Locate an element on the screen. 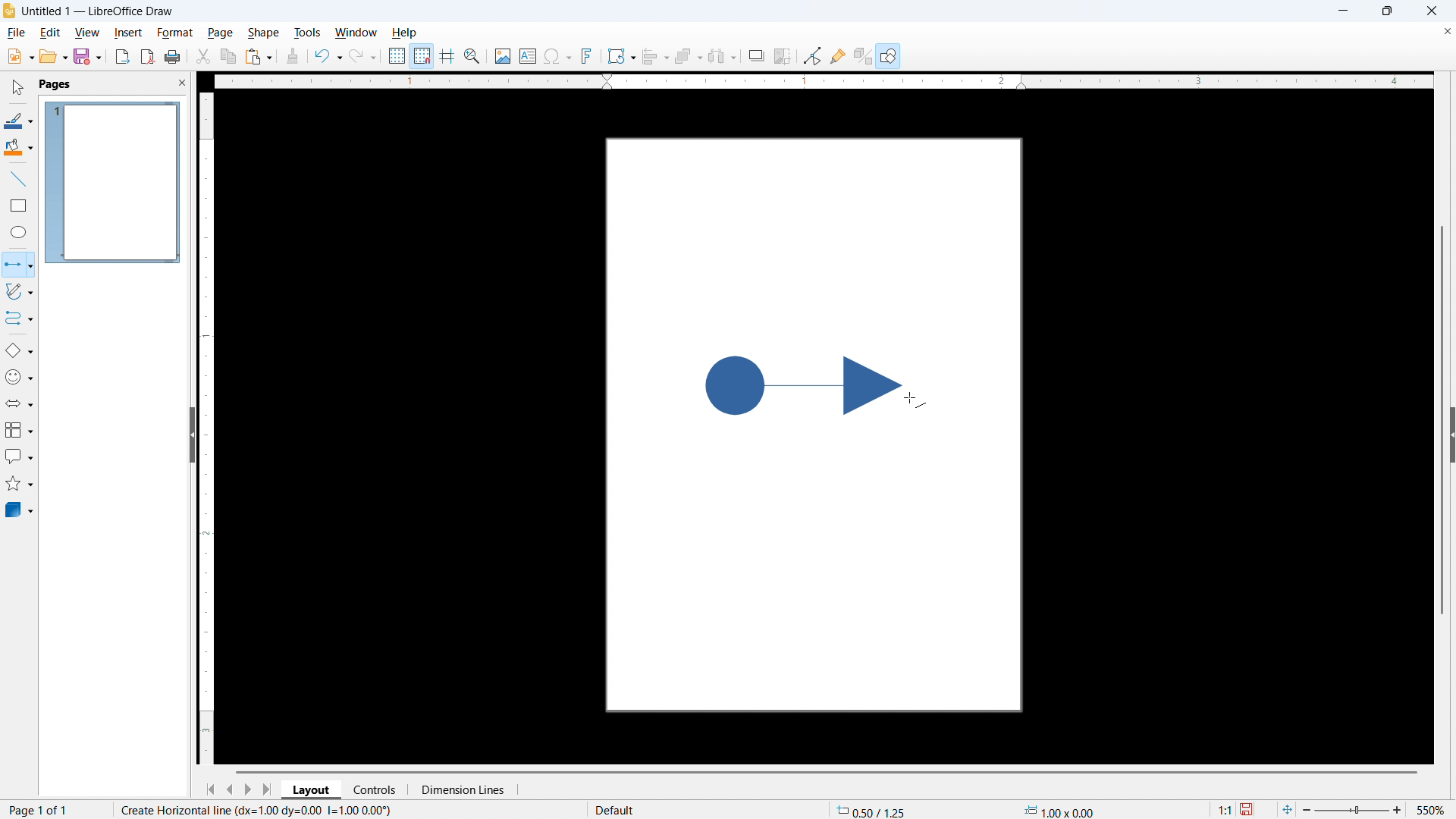  Block arrows  is located at coordinates (20, 404).